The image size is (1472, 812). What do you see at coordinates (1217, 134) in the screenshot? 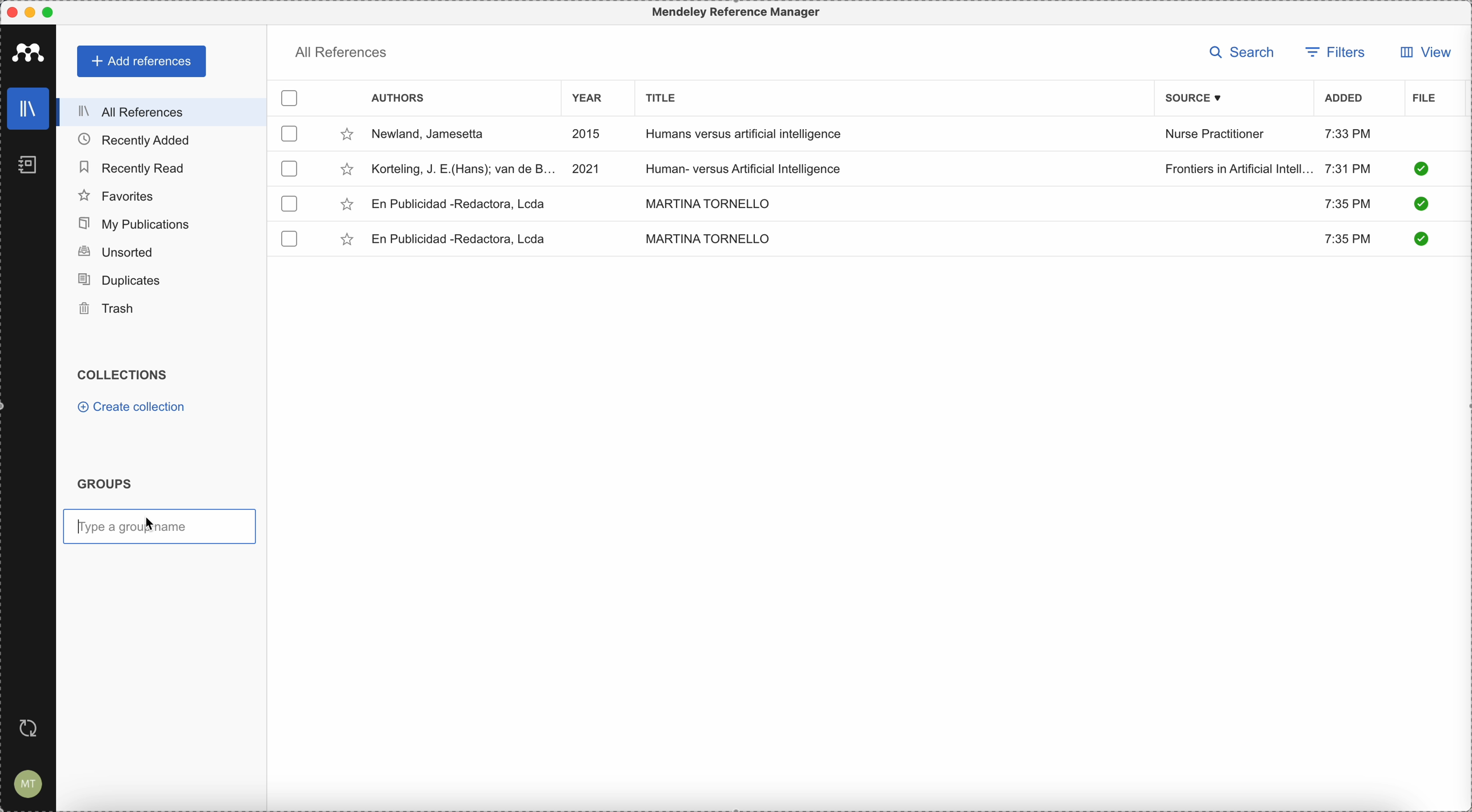
I see `Nurse Practitioner` at bounding box center [1217, 134].